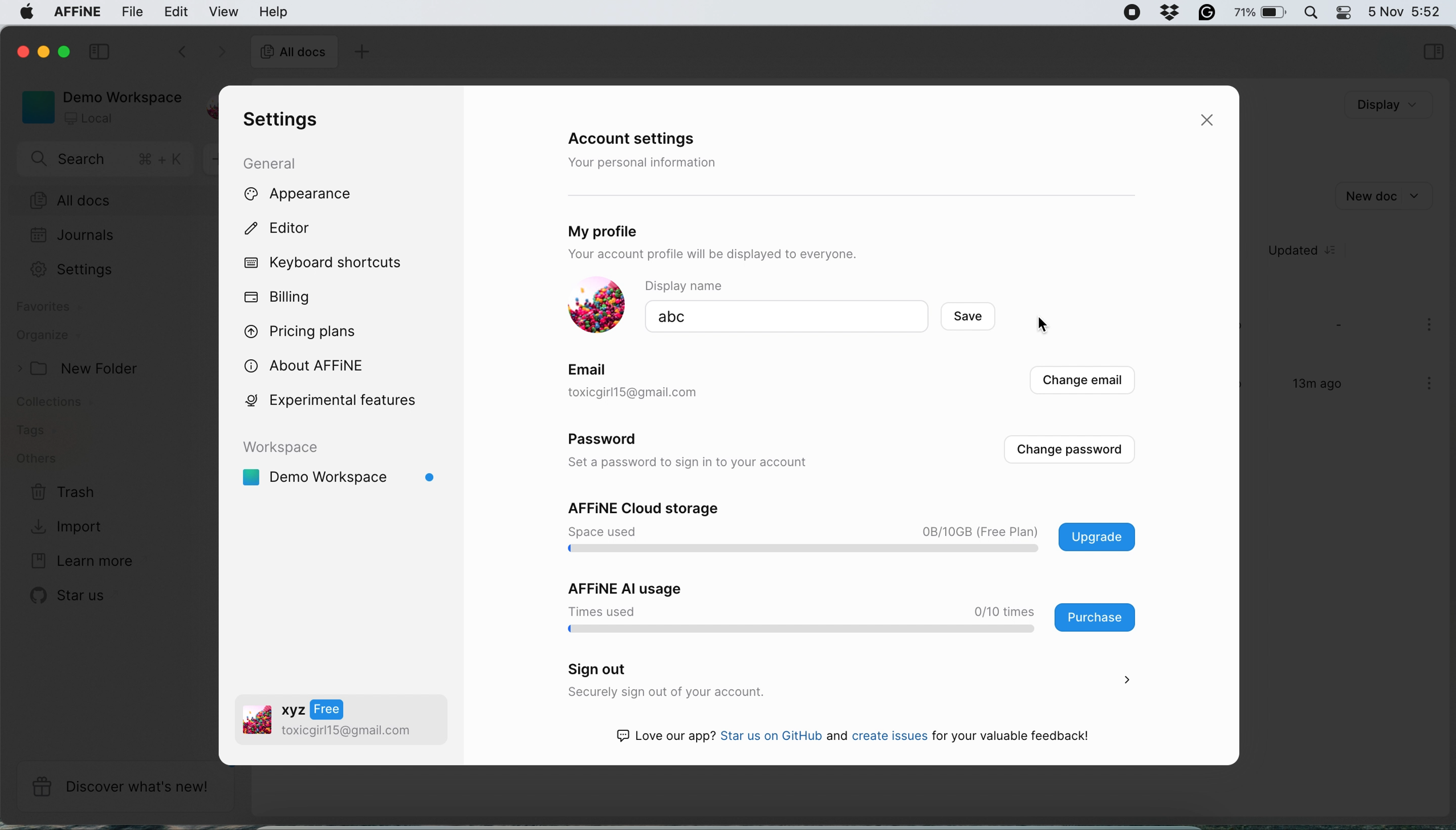 The height and width of the screenshot is (830, 1456). I want to click on control center, so click(1343, 13).